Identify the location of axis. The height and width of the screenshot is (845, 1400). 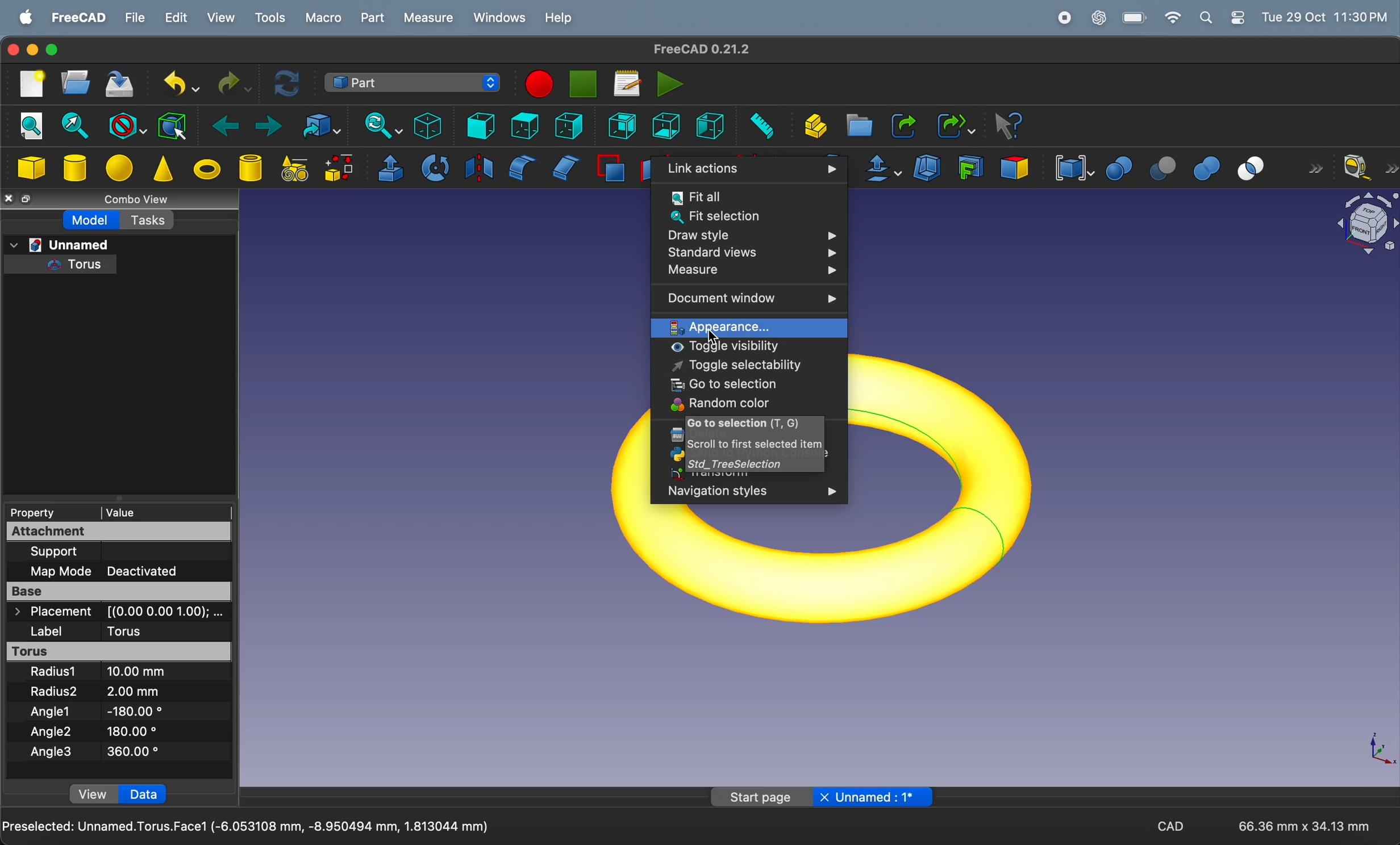
(1380, 749).